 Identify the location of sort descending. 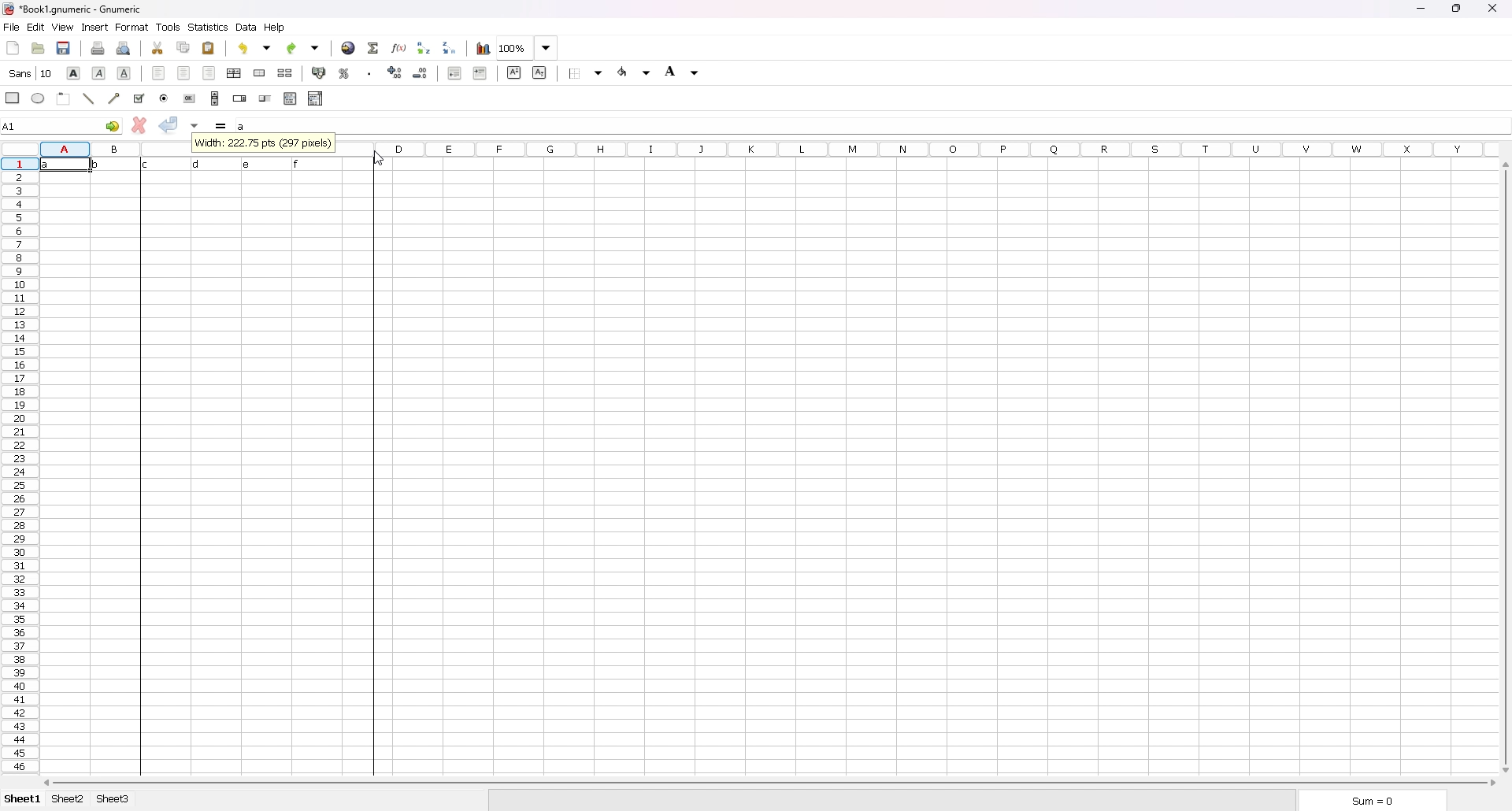
(450, 47).